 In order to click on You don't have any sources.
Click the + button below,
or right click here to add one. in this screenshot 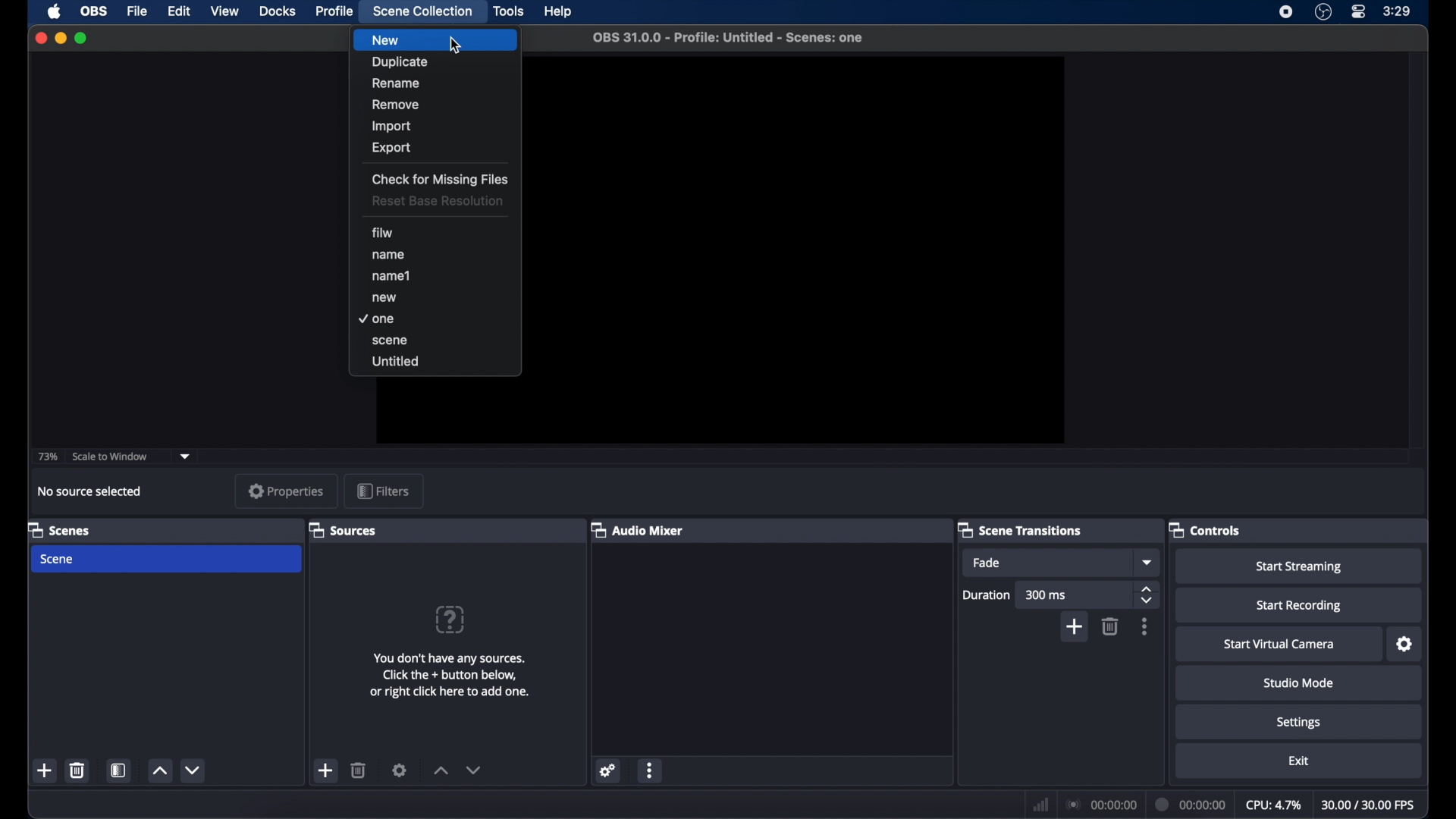, I will do `click(457, 680)`.